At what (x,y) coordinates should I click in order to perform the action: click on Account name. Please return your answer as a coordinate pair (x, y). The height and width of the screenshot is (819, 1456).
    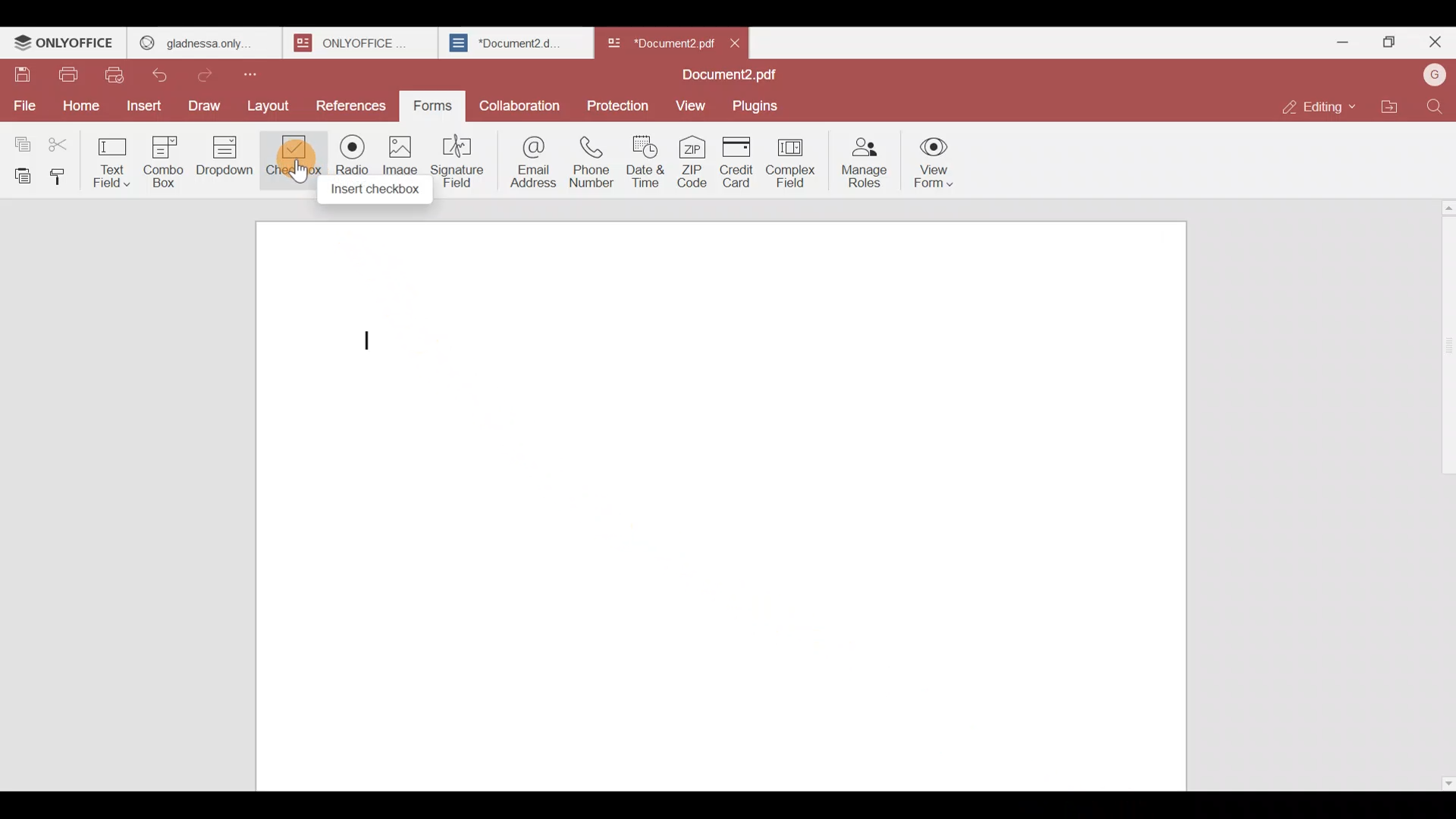
    Looking at the image, I should click on (1434, 74).